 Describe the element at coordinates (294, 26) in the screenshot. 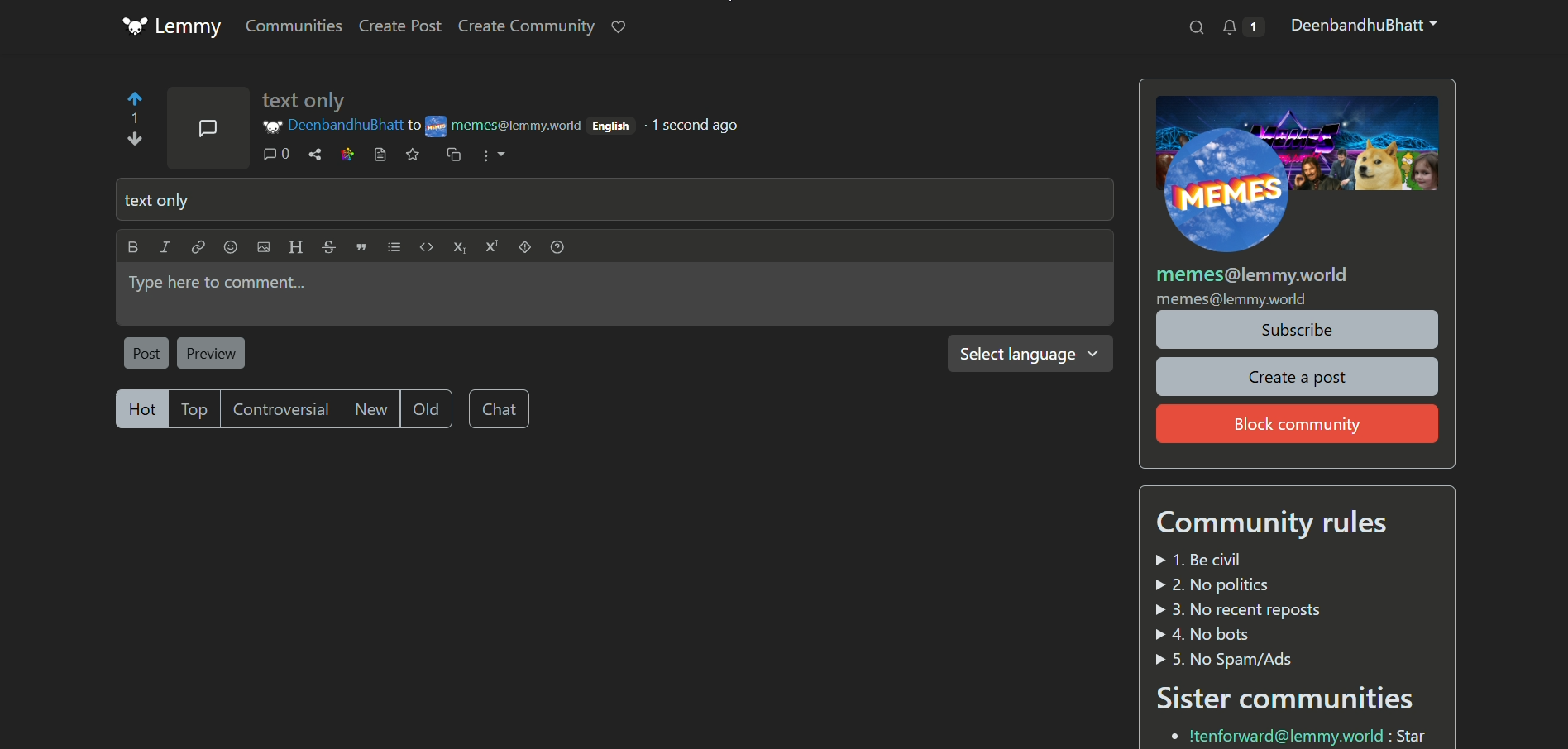

I see `communities` at that location.